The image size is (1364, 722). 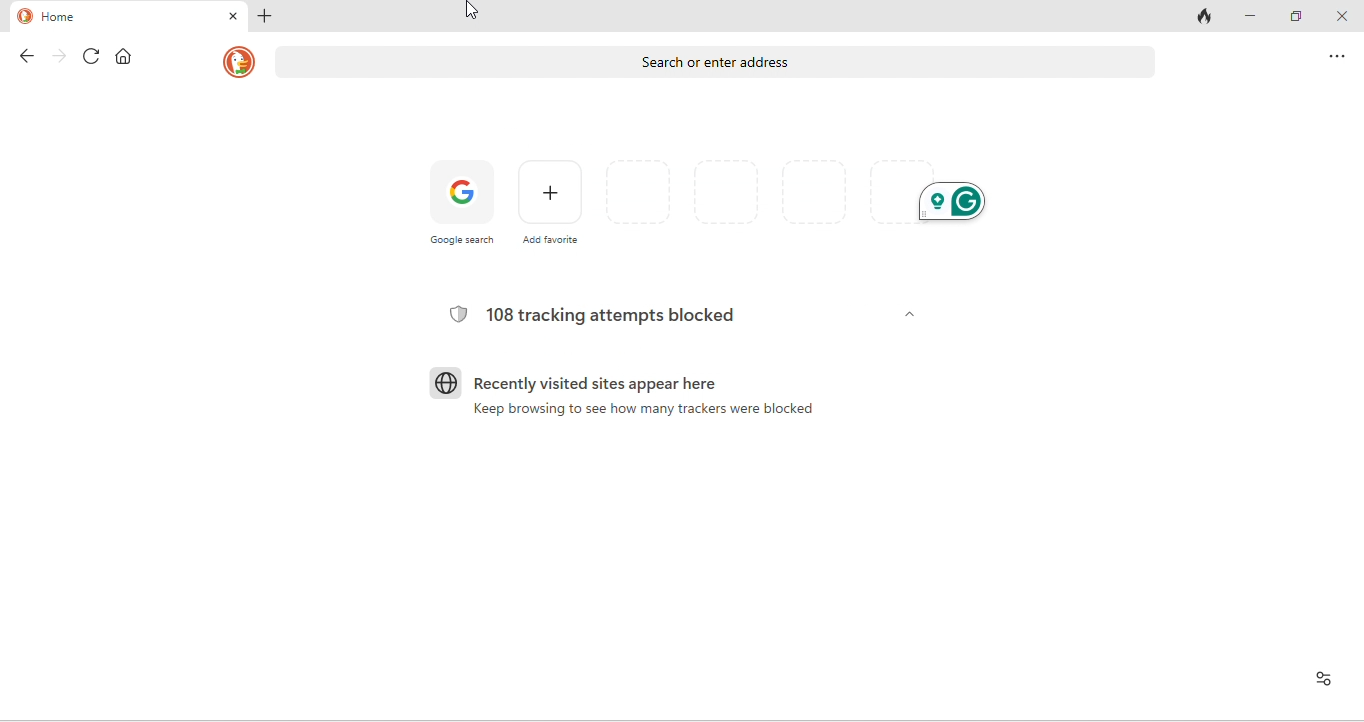 What do you see at coordinates (122, 56) in the screenshot?
I see `home` at bounding box center [122, 56].